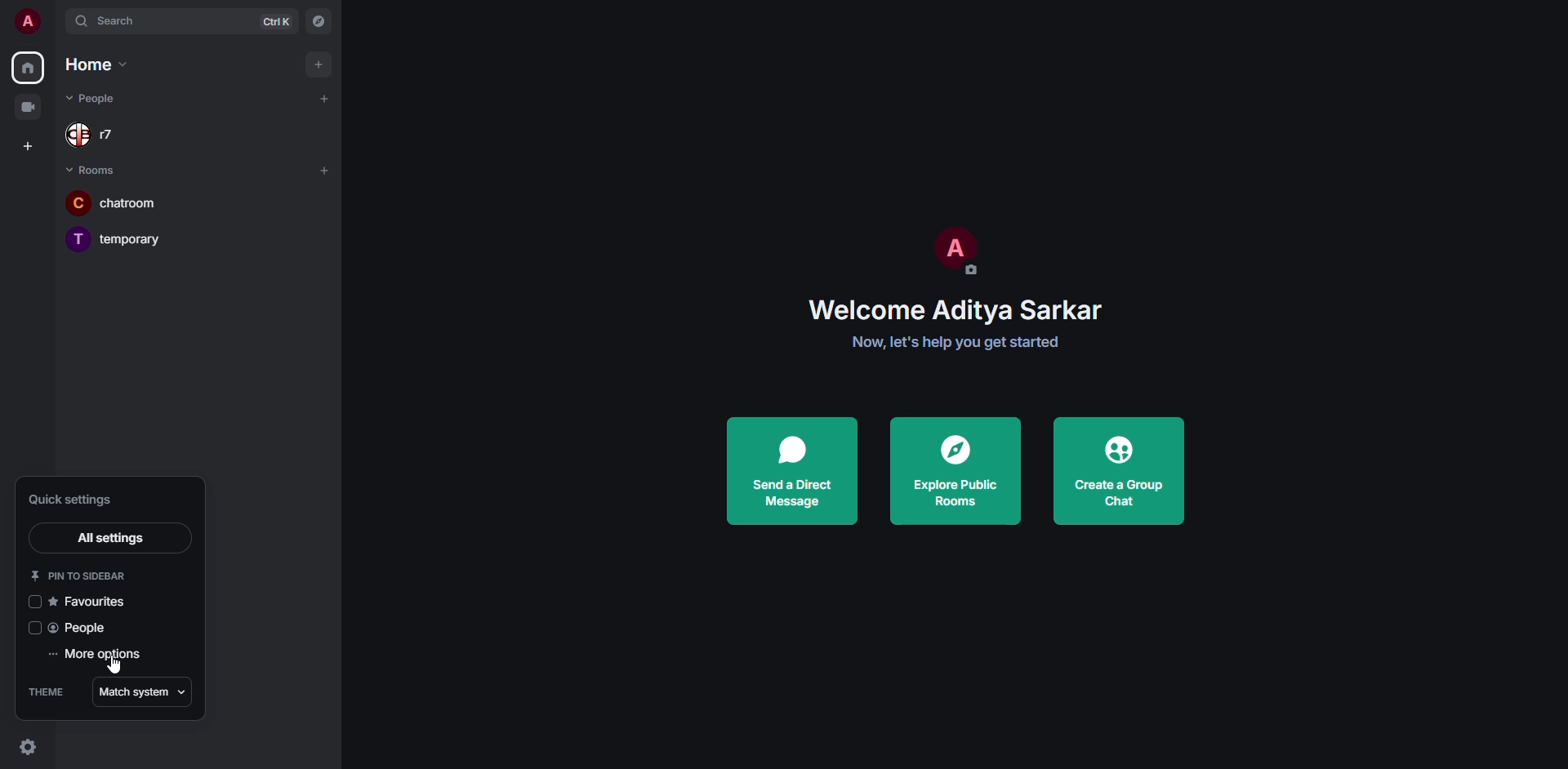 This screenshot has width=1568, height=769. What do you see at coordinates (84, 629) in the screenshot?
I see `people` at bounding box center [84, 629].